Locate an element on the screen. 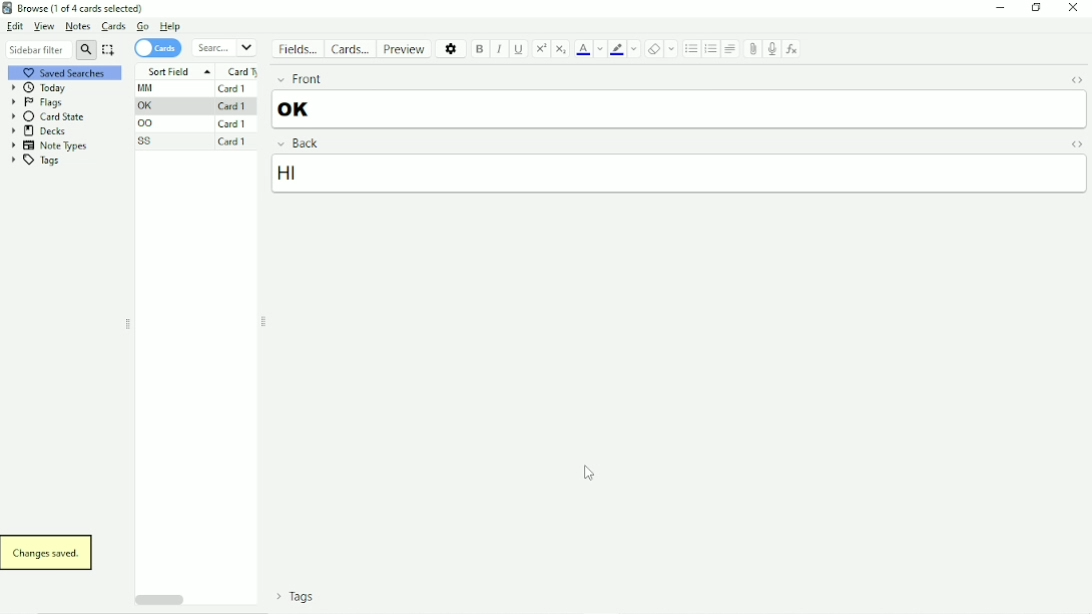 Image resolution: width=1092 pixels, height=614 pixels. Help is located at coordinates (171, 26).